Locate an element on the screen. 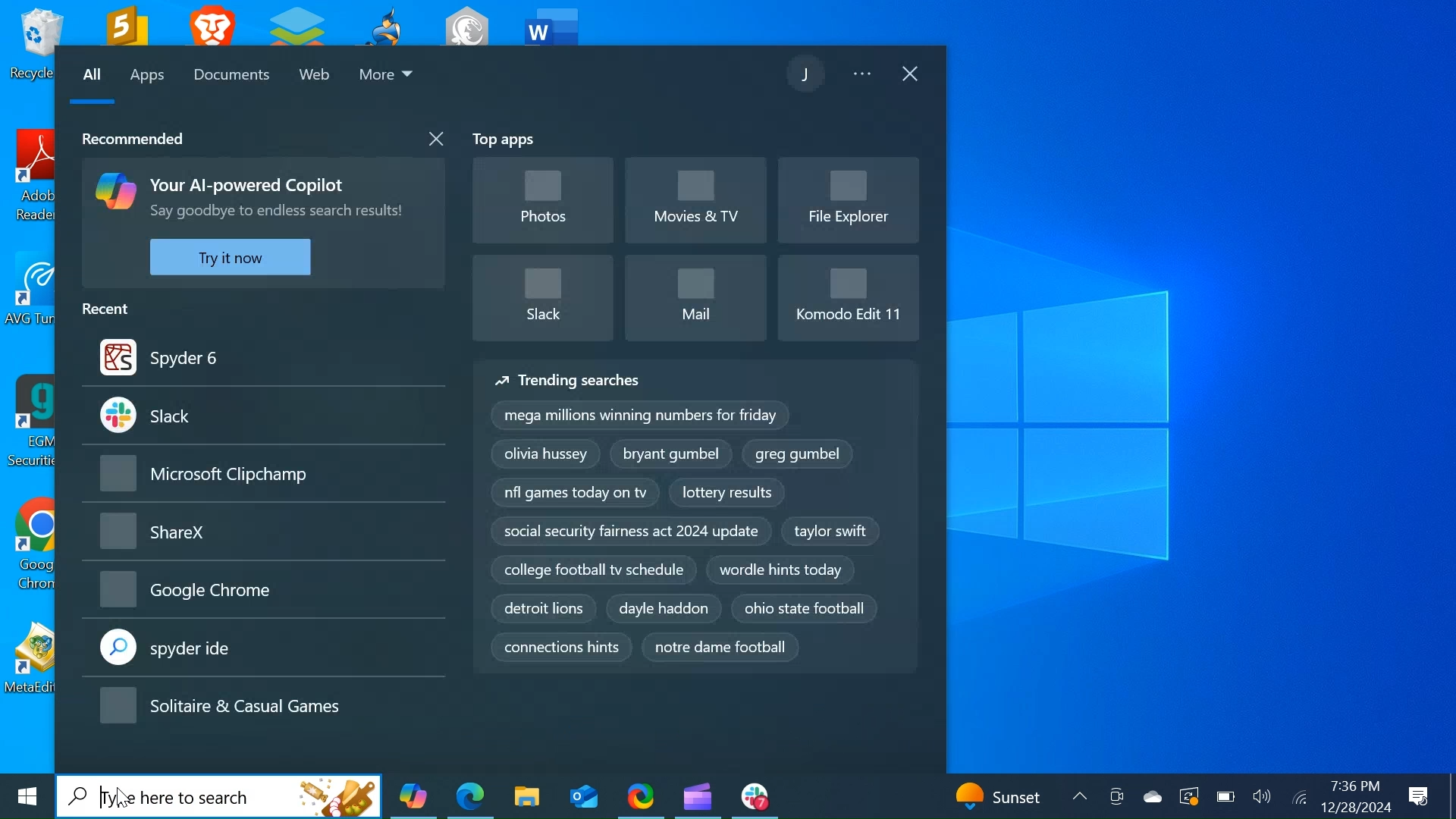 The height and width of the screenshot is (819, 1456). Try now is located at coordinates (230, 257).